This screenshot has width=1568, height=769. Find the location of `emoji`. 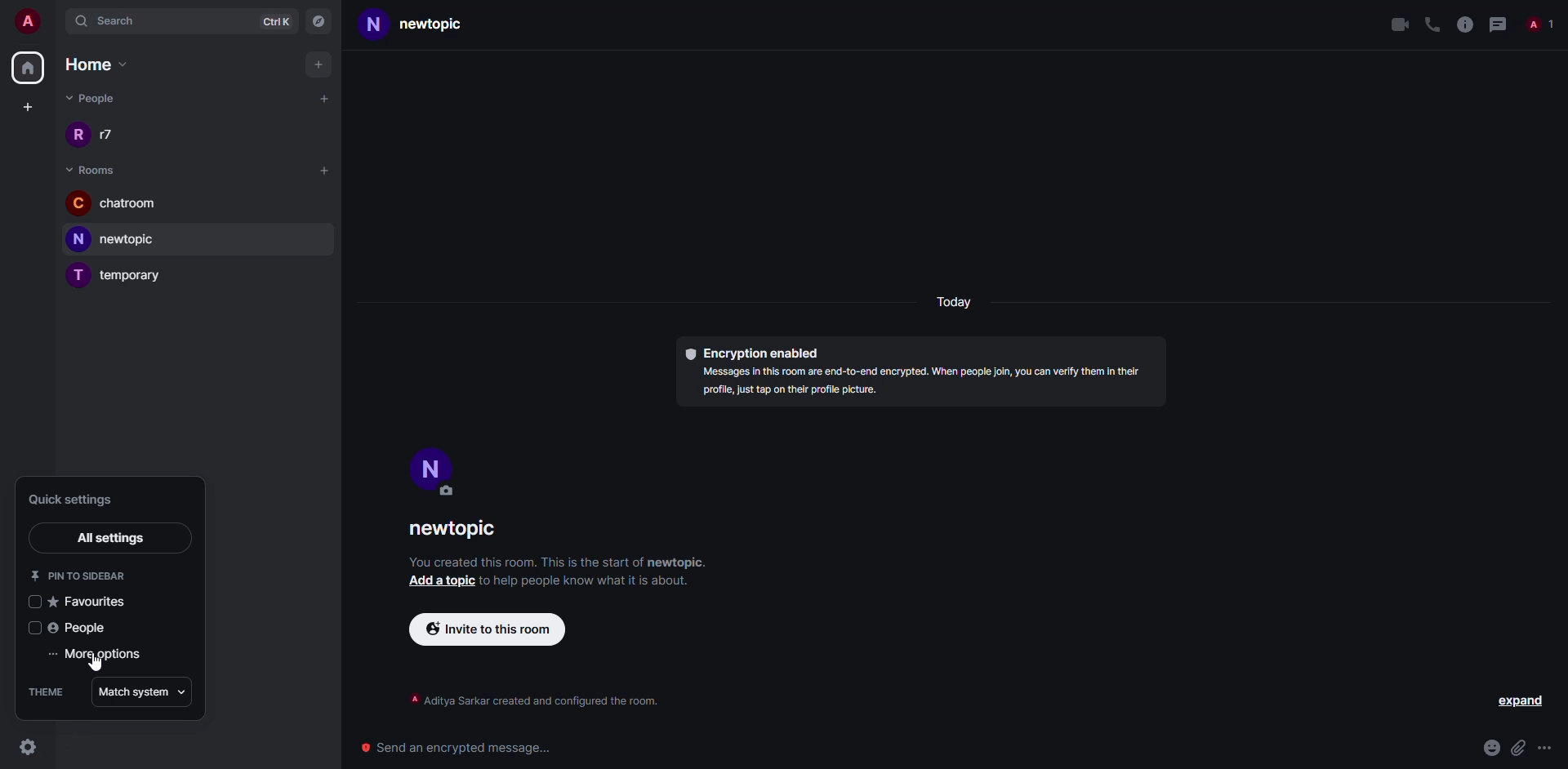

emoji is located at coordinates (1490, 749).